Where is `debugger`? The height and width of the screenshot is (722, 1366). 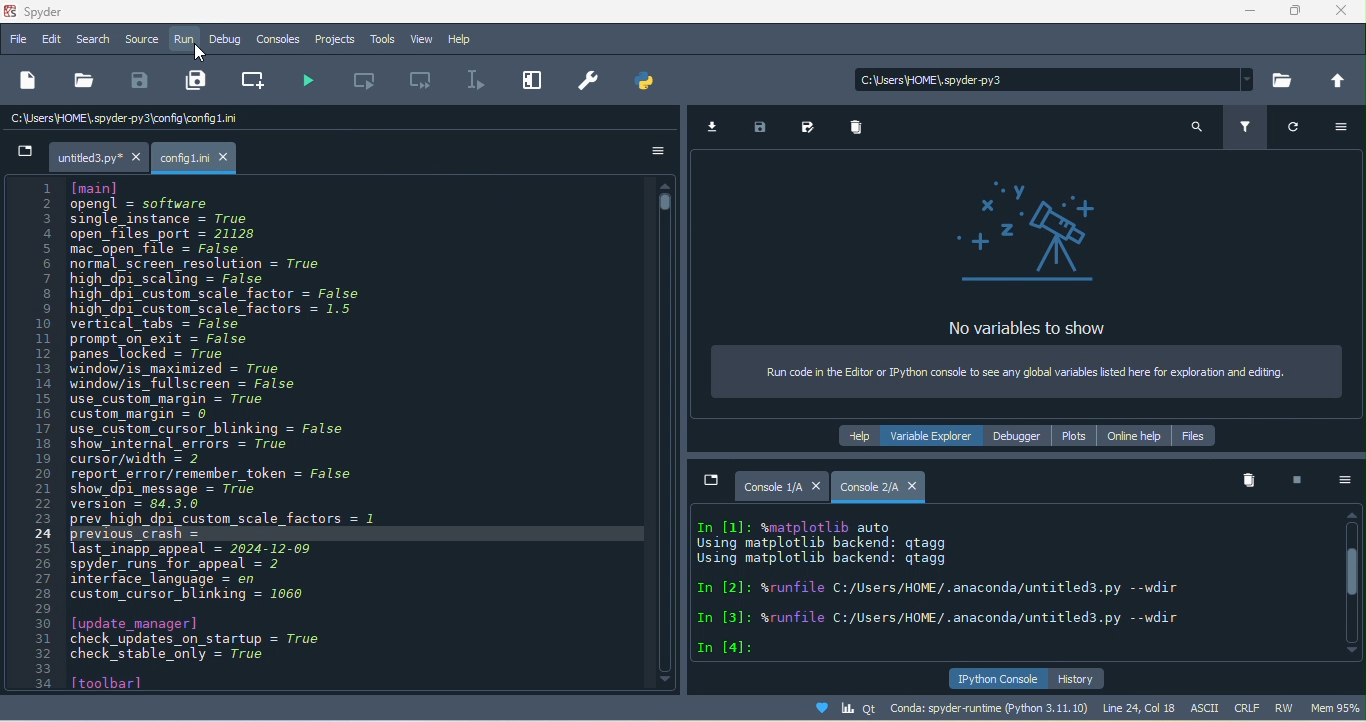
debugger is located at coordinates (1016, 436).